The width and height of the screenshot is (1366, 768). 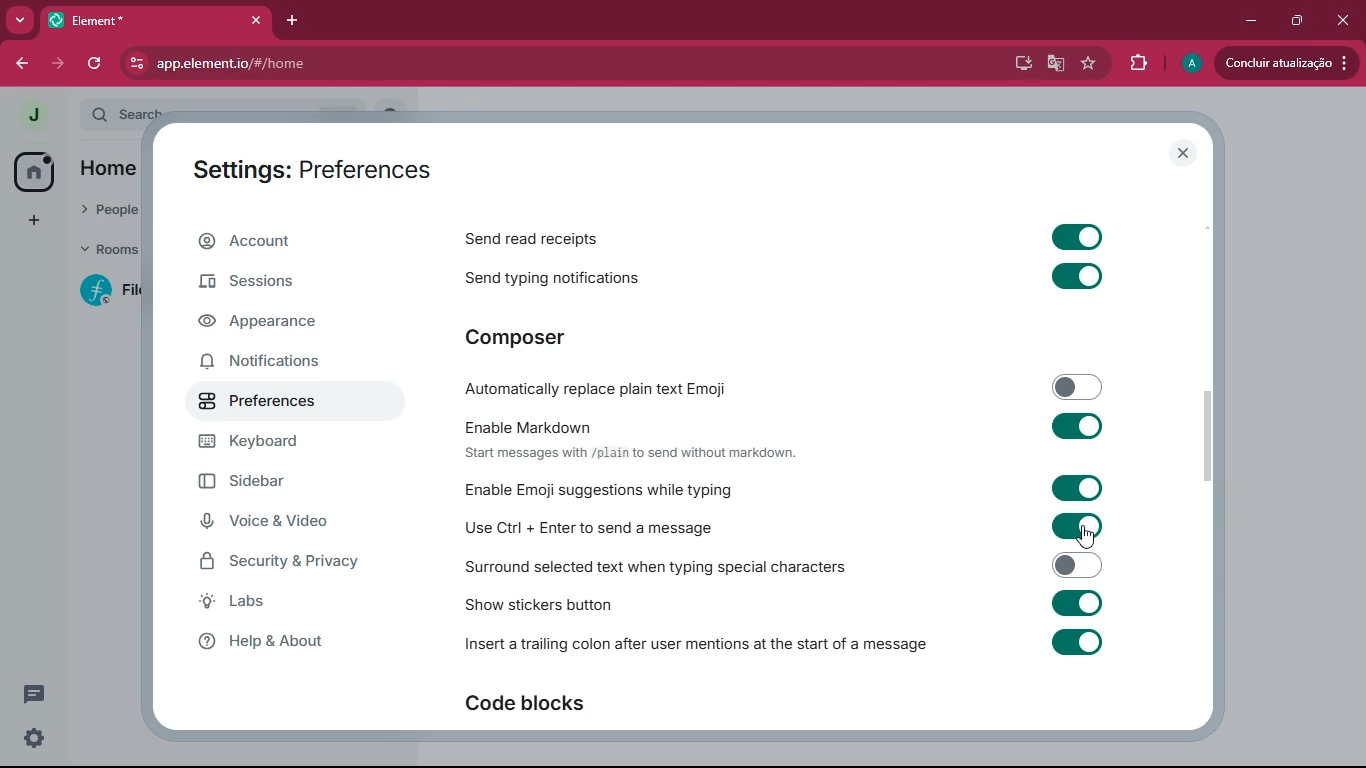 I want to click on surrond text, so click(x=655, y=570).